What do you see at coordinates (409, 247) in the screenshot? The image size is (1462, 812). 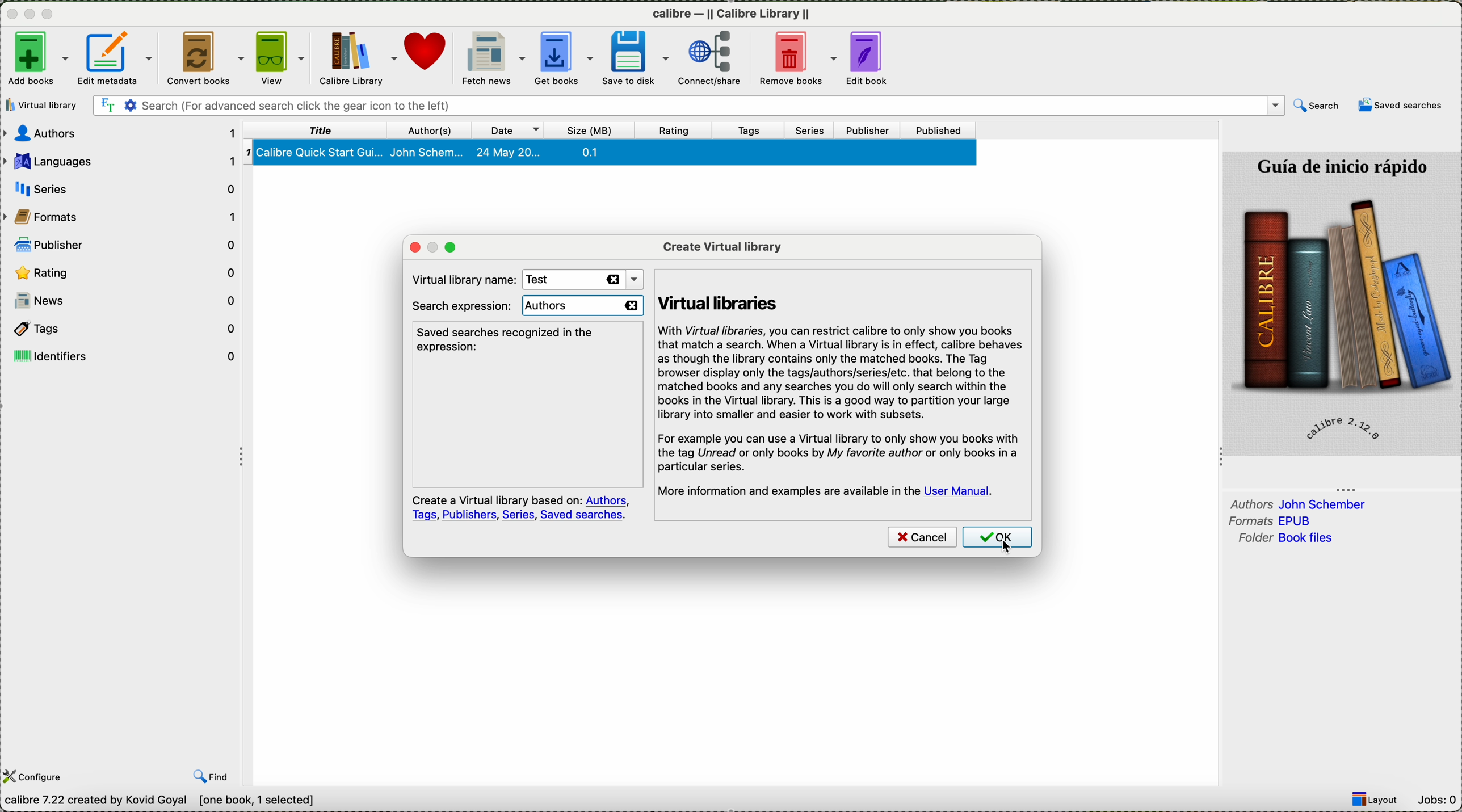 I see `close popup` at bounding box center [409, 247].